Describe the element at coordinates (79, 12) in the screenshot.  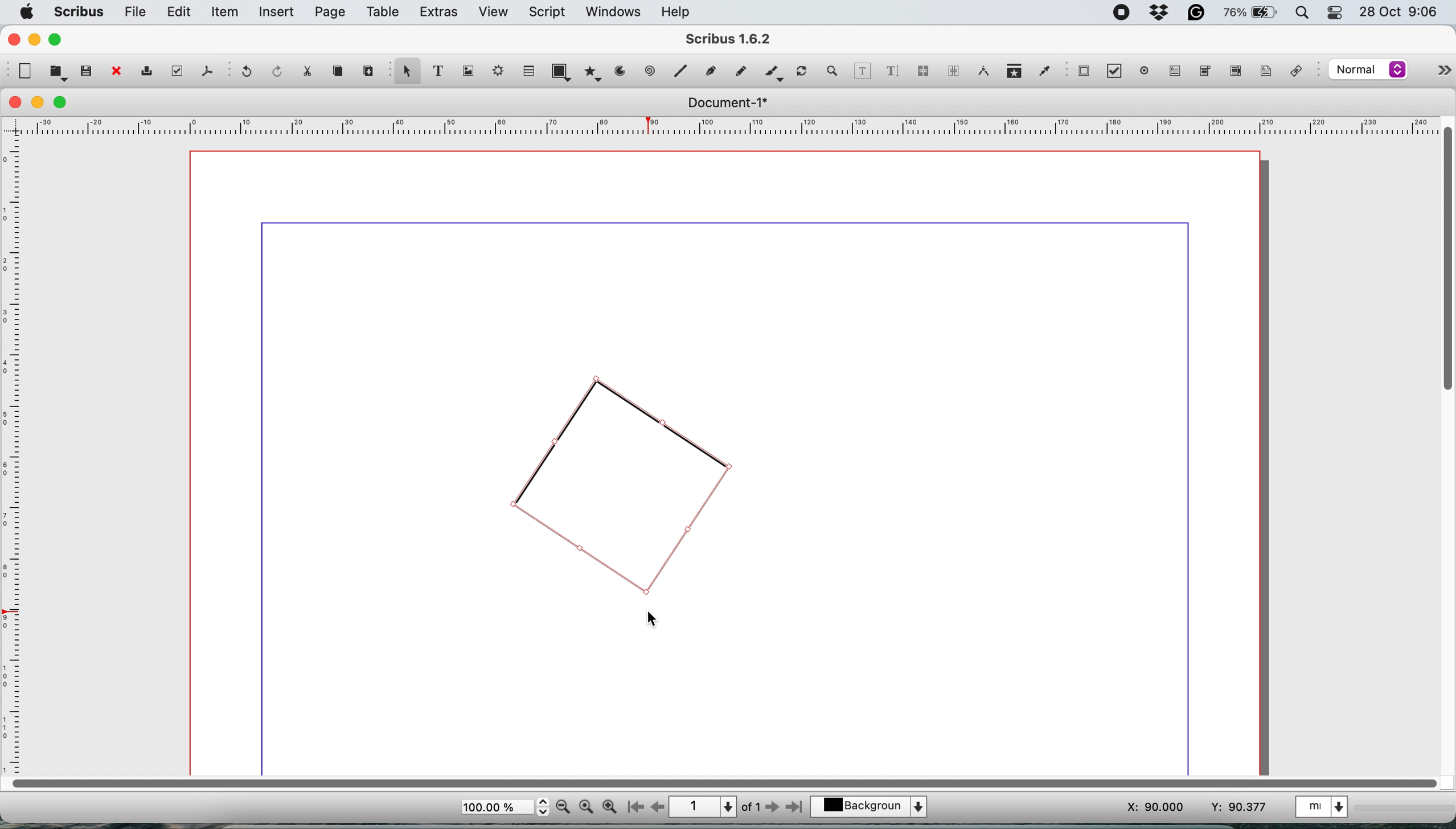
I see `scribus` at that location.